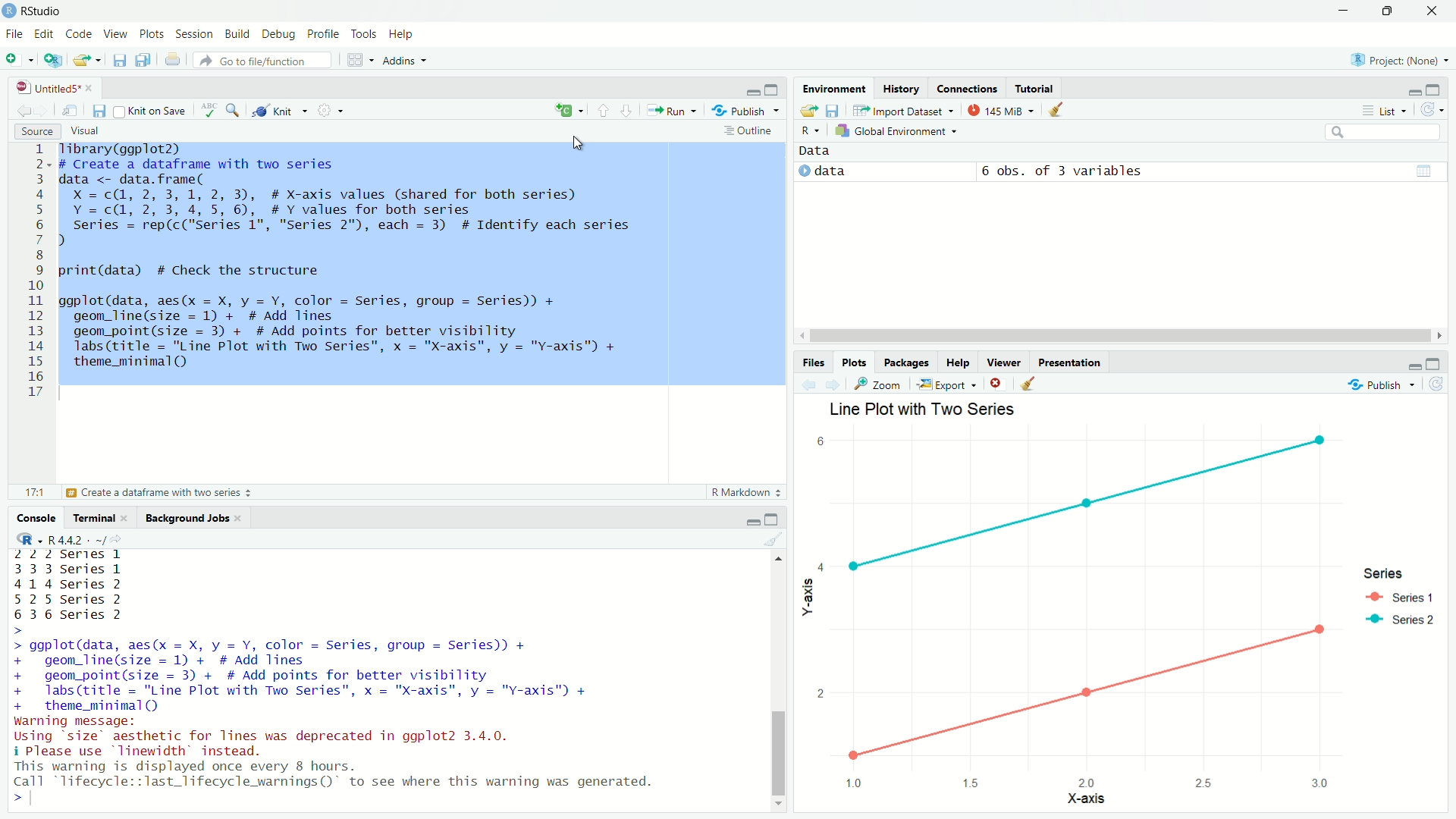 Image resolution: width=1456 pixels, height=819 pixels. What do you see at coordinates (570, 110) in the screenshot?
I see `C` at bounding box center [570, 110].